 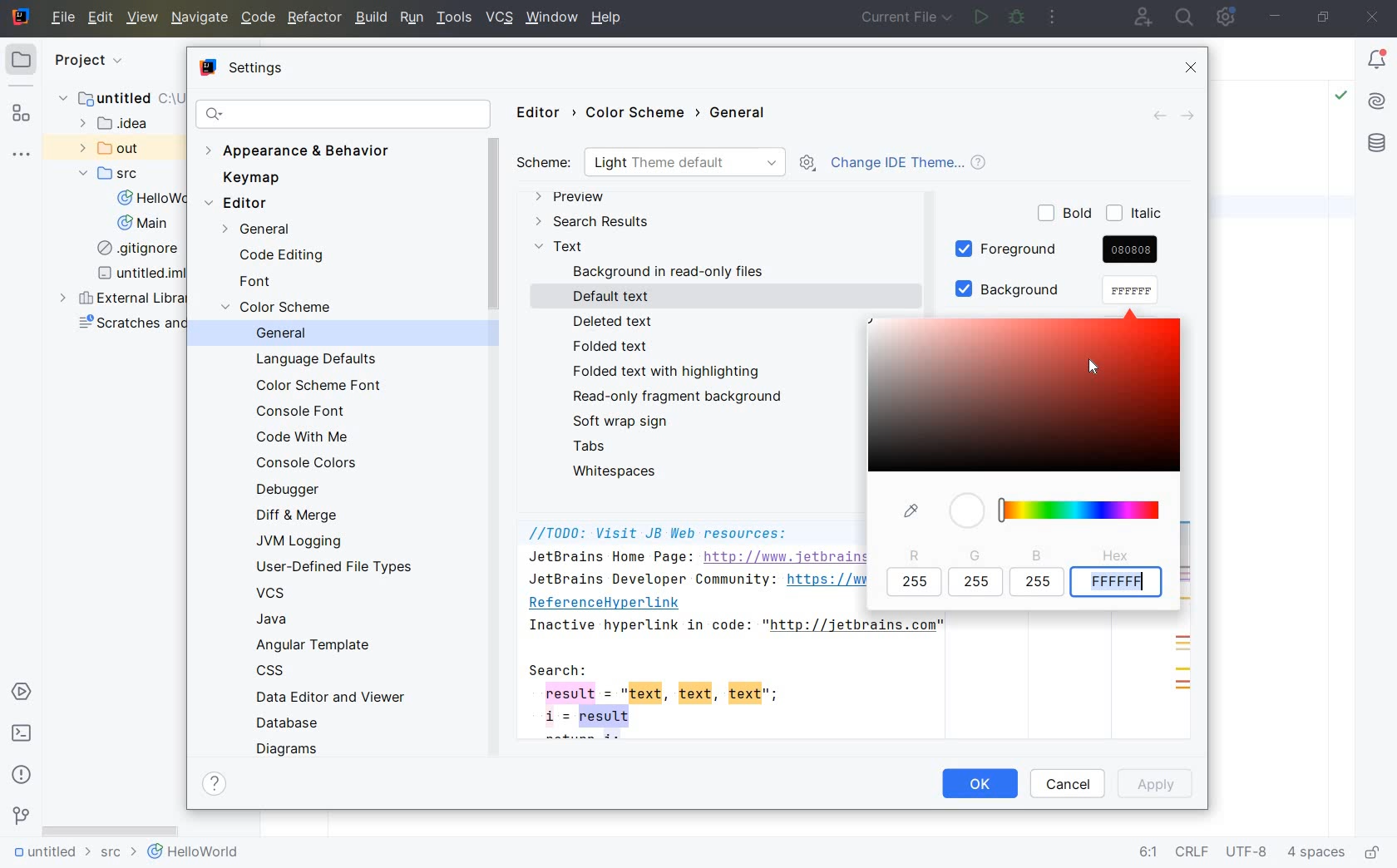 What do you see at coordinates (1160, 784) in the screenshot?
I see `APPLY` at bounding box center [1160, 784].